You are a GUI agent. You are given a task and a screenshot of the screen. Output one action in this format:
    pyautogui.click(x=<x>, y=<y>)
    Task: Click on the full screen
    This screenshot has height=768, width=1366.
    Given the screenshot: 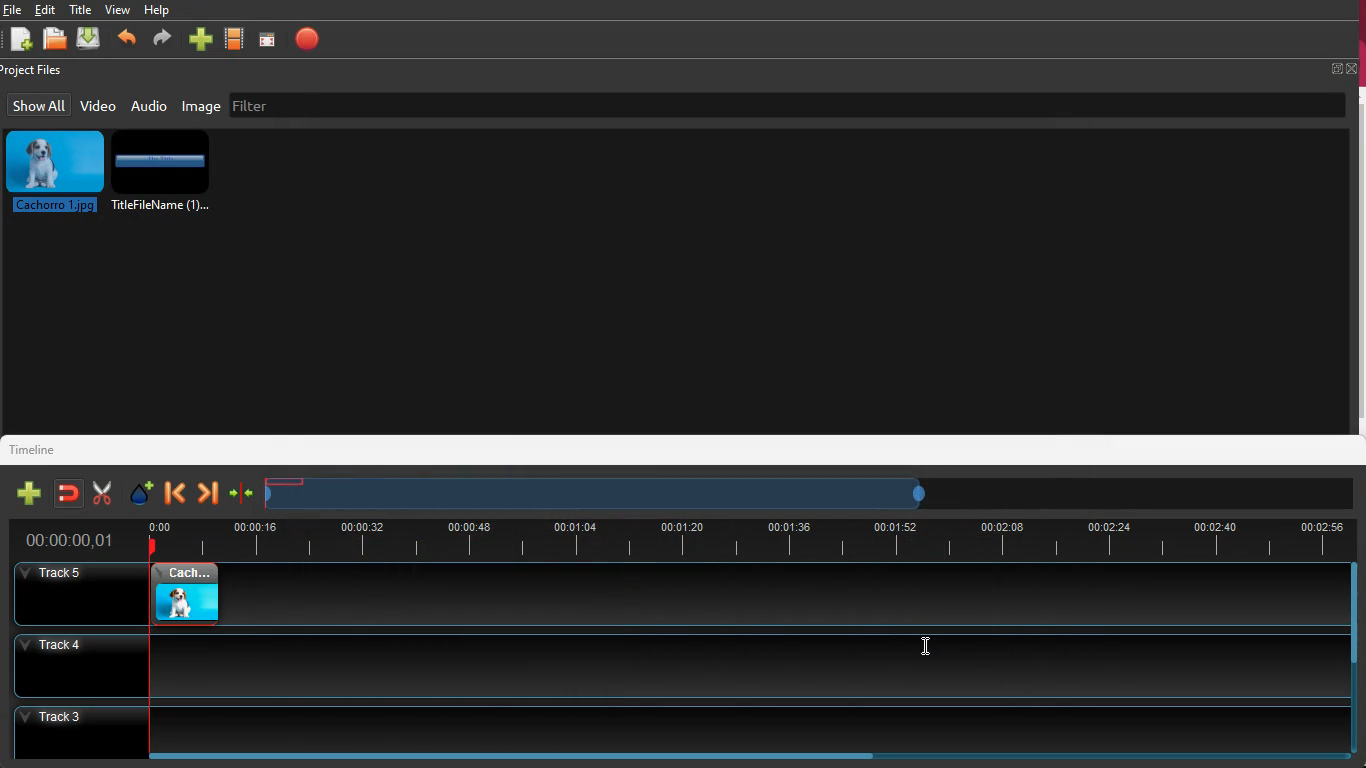 What is the action you would take?
    pyautogui.click(x=1344, y=68)
    